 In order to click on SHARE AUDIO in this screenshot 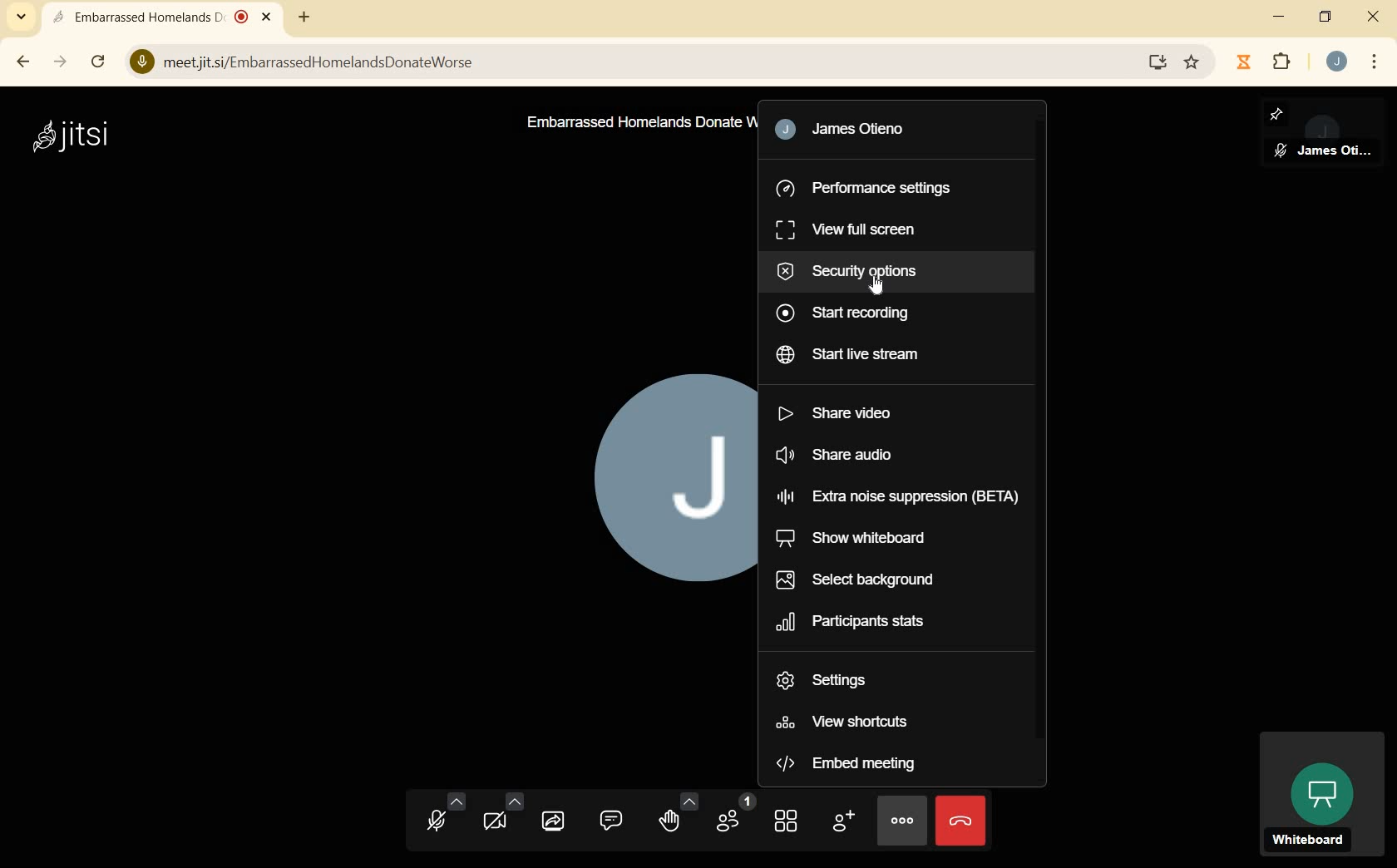, I will do `click(853, 456)`.